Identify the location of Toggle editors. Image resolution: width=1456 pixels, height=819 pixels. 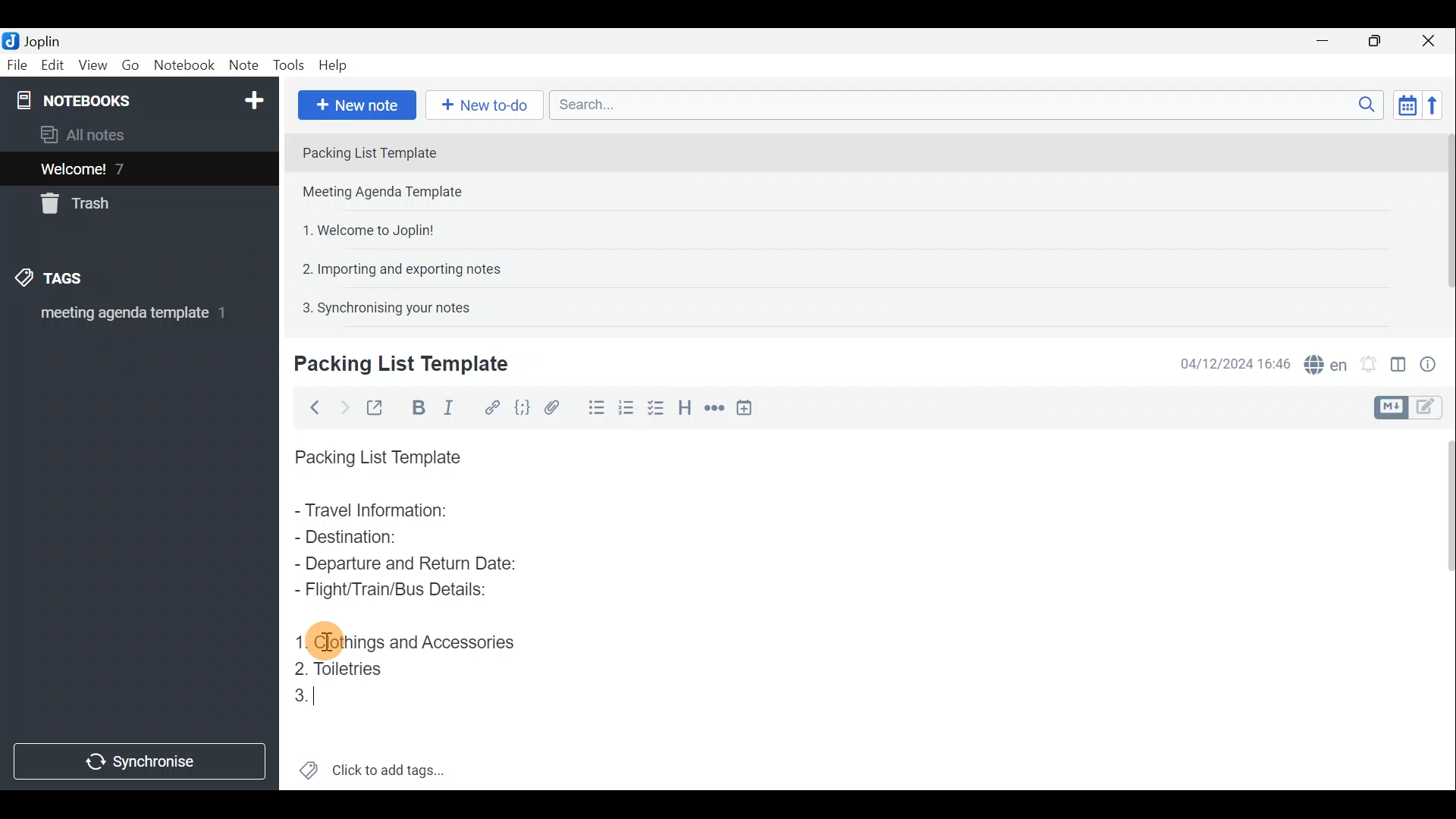
(1433, 409).